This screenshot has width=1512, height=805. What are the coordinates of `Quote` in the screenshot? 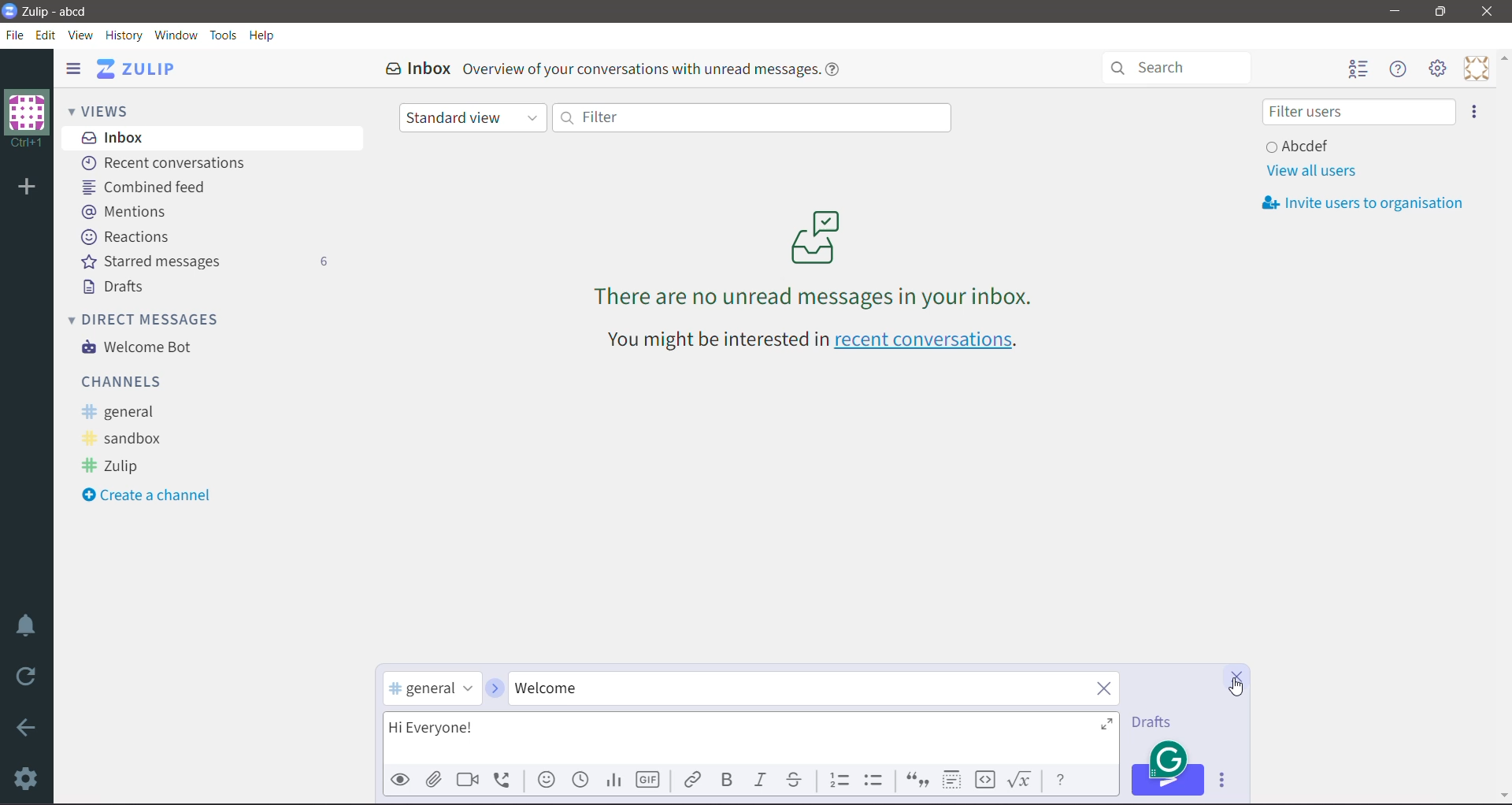 It's located at (916, 781).